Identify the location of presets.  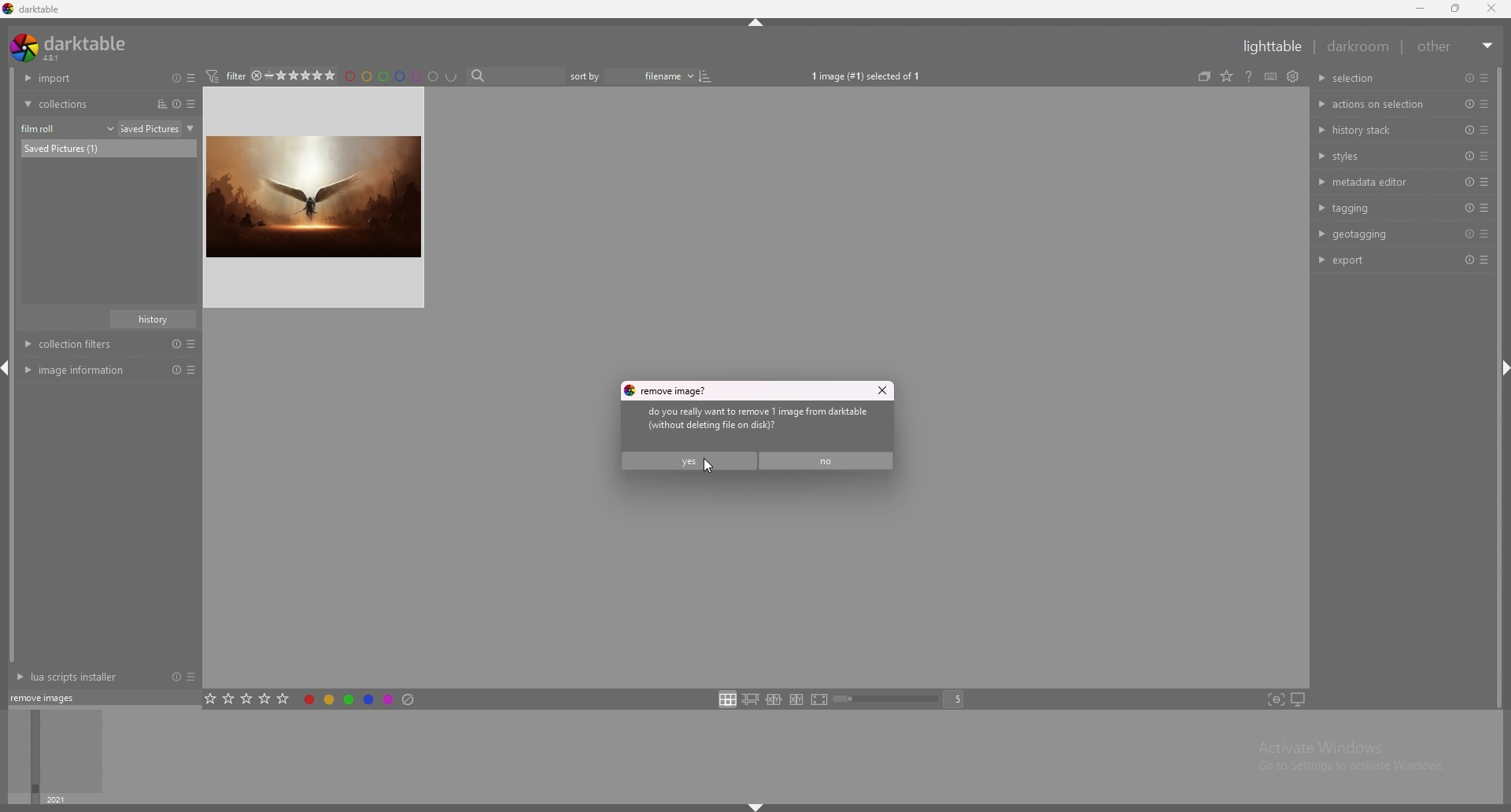
(1485, 105).